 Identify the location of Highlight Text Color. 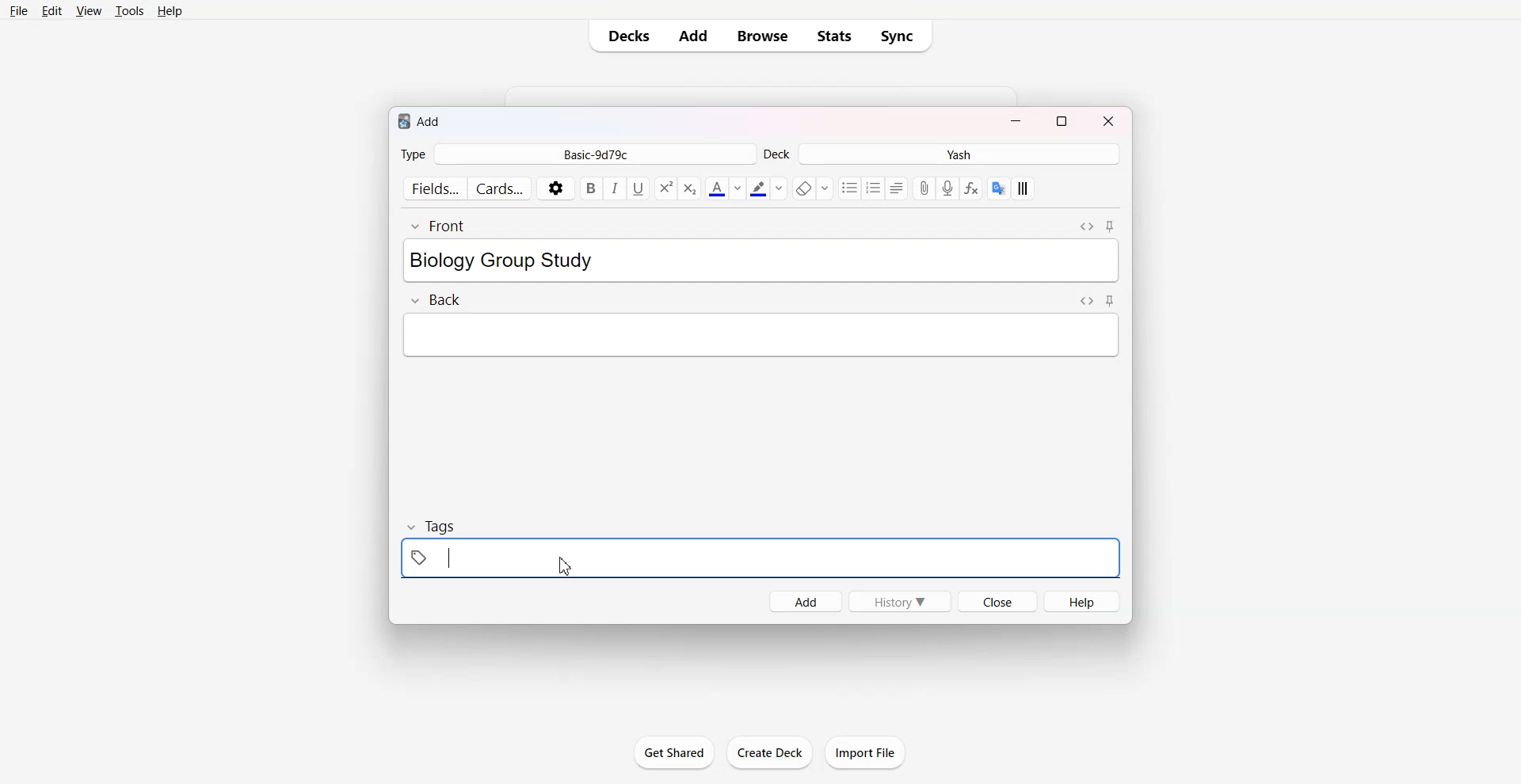
(767, 188).